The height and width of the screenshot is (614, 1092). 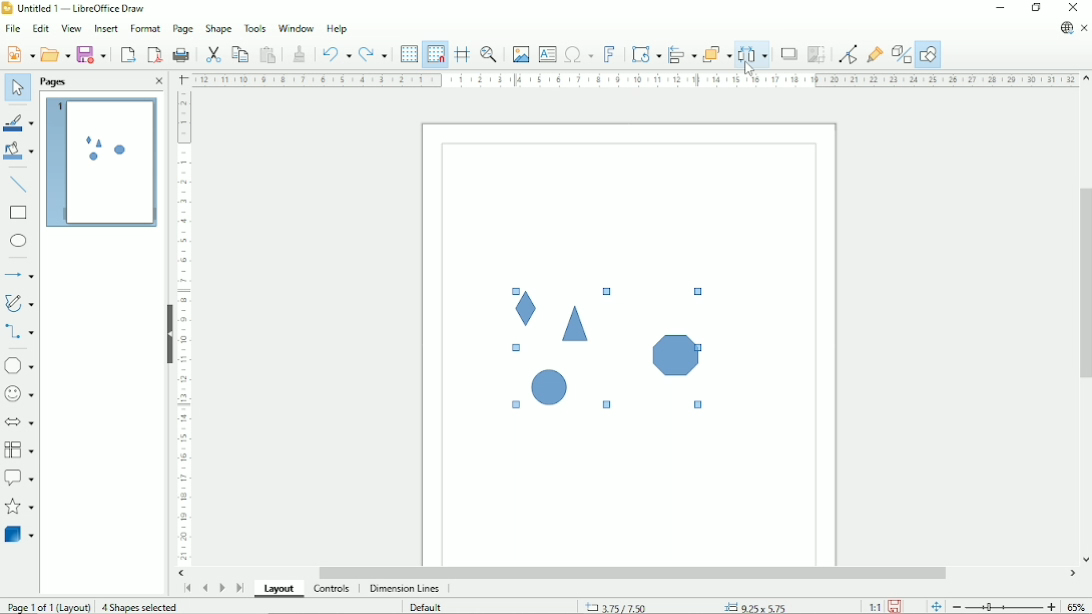 What do you see at coordinates (300, 53) in the screenshot?
I see `Clone formatting` at bounding box center [300, 53].